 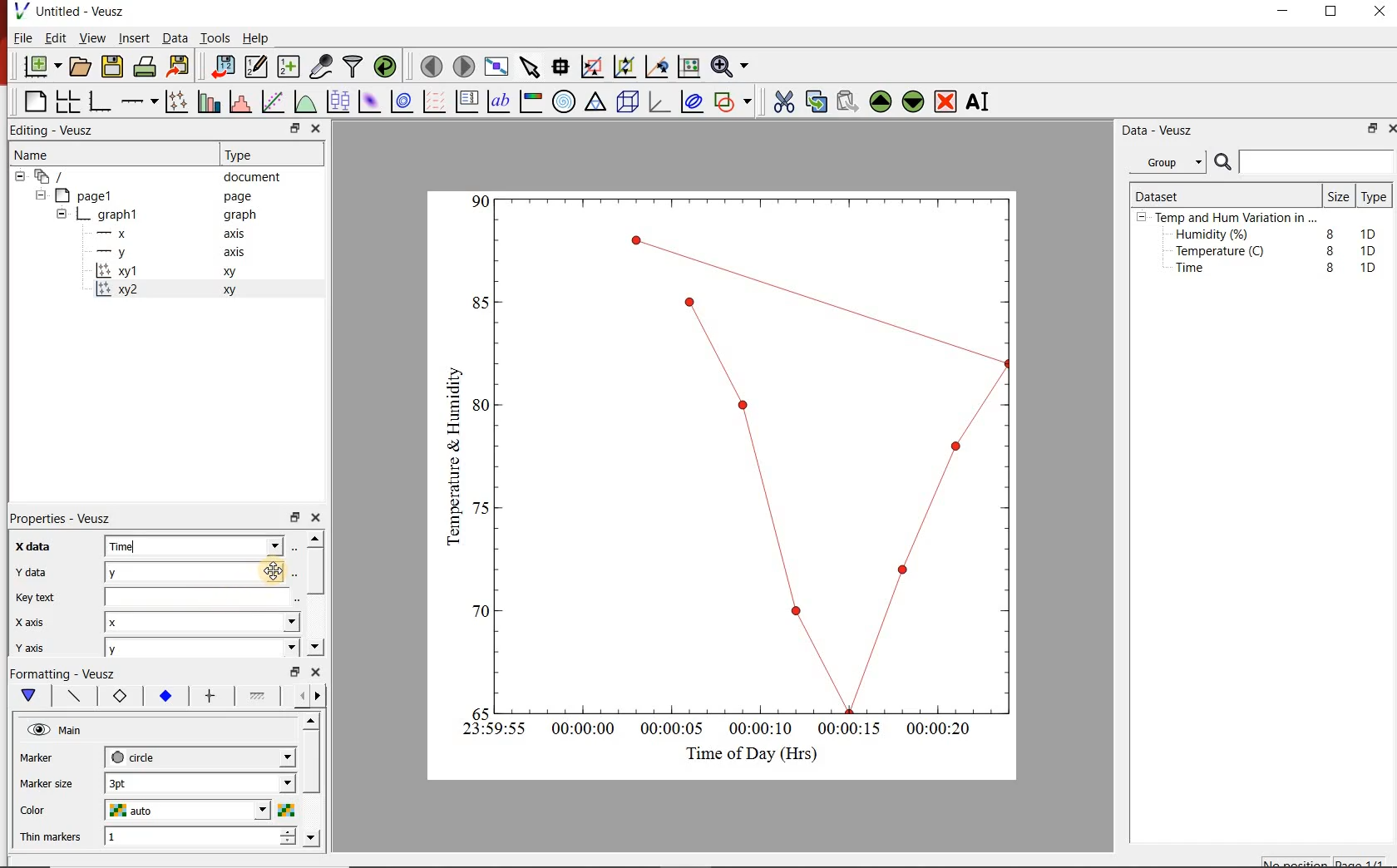 What do you see at coordinates (136, 650) in the screenshot?
I see `y` at bounding box center [136, 650].